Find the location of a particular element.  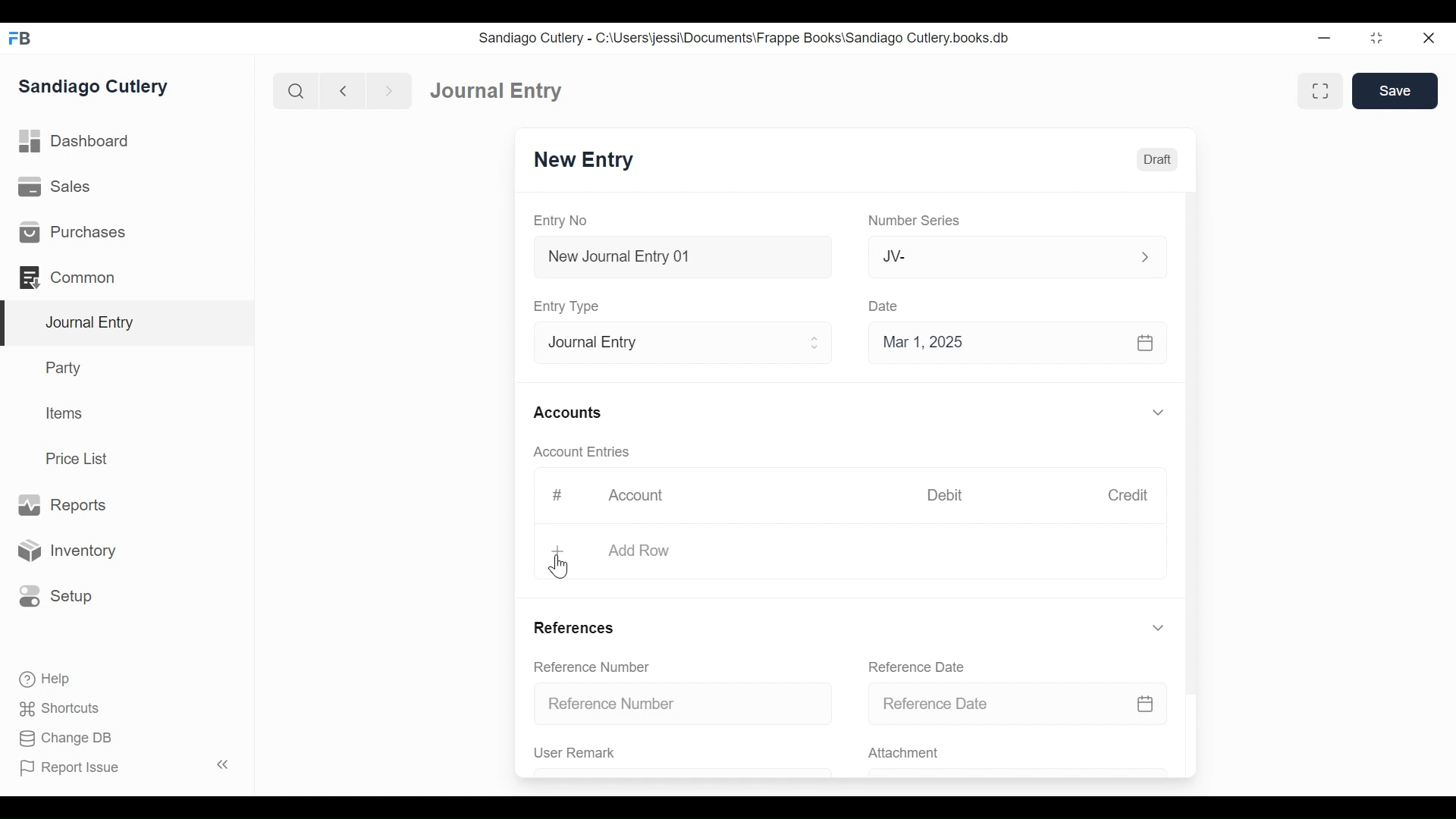

Entry Type is located at coordinates (566, 306).